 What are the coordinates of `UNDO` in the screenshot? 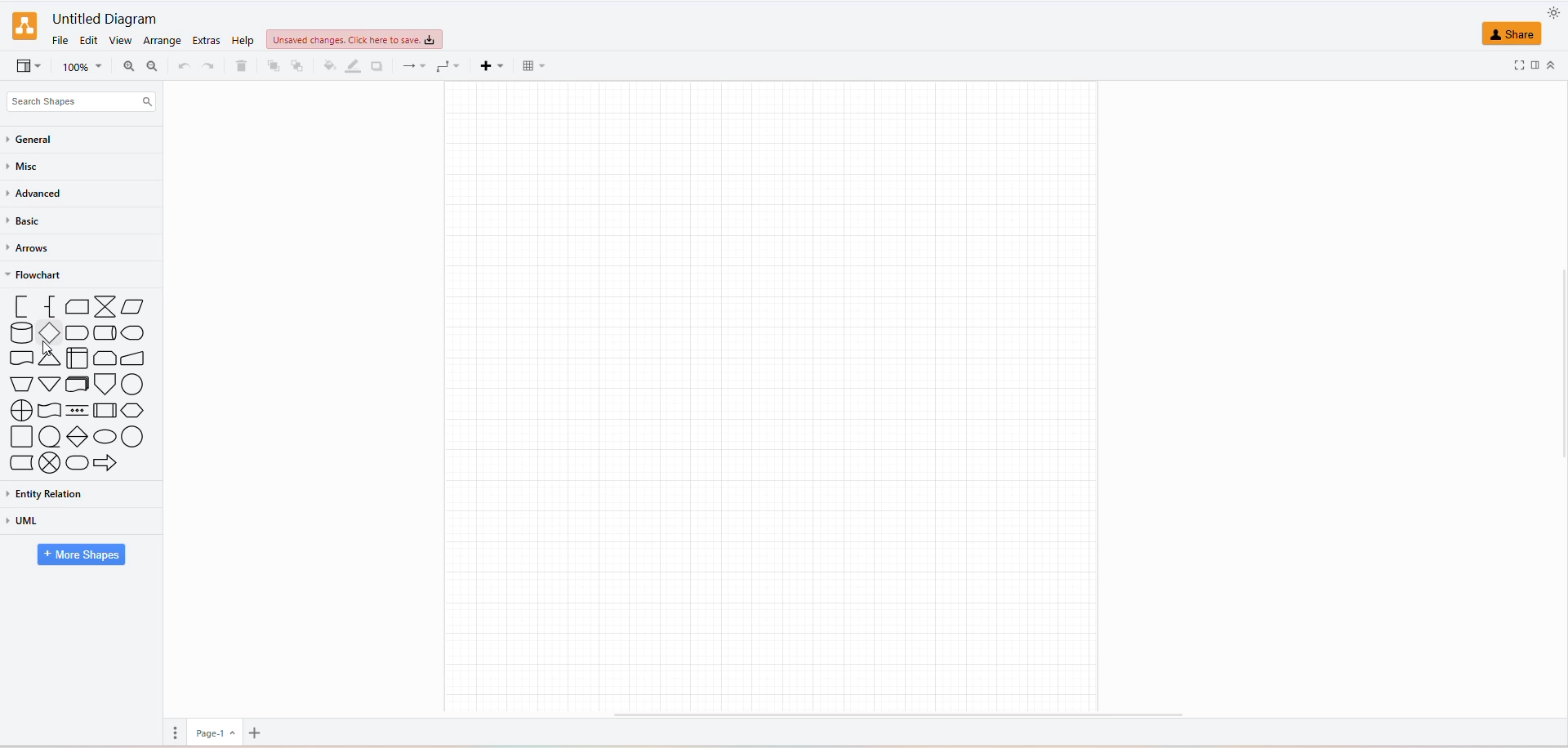 It's located at (211, 66).